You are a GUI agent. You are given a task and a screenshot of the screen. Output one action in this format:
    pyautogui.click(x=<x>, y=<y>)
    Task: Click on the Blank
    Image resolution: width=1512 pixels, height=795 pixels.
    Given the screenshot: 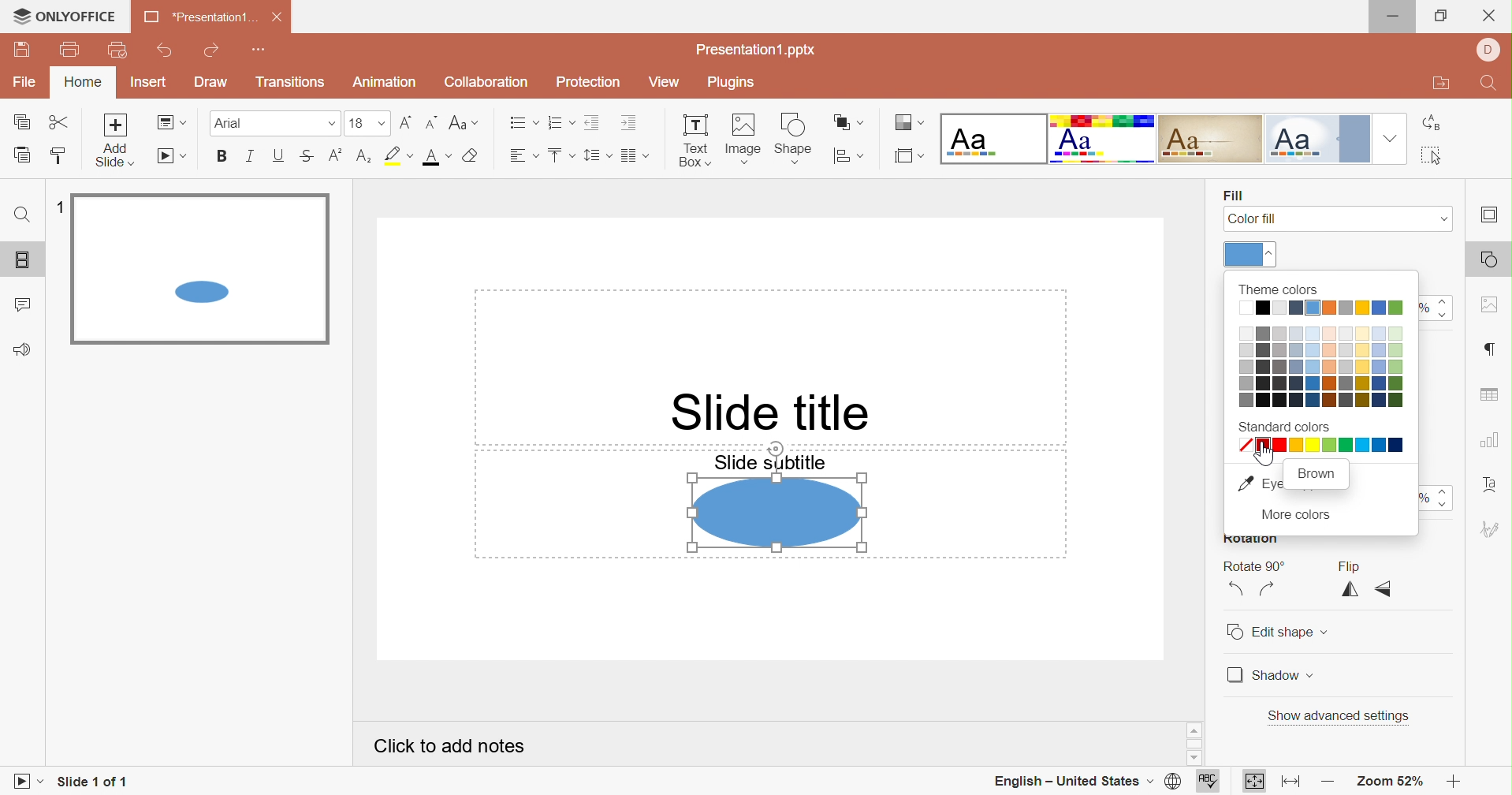 What is the action you would take?
    pyautogui.click(x=992, y=138)
    